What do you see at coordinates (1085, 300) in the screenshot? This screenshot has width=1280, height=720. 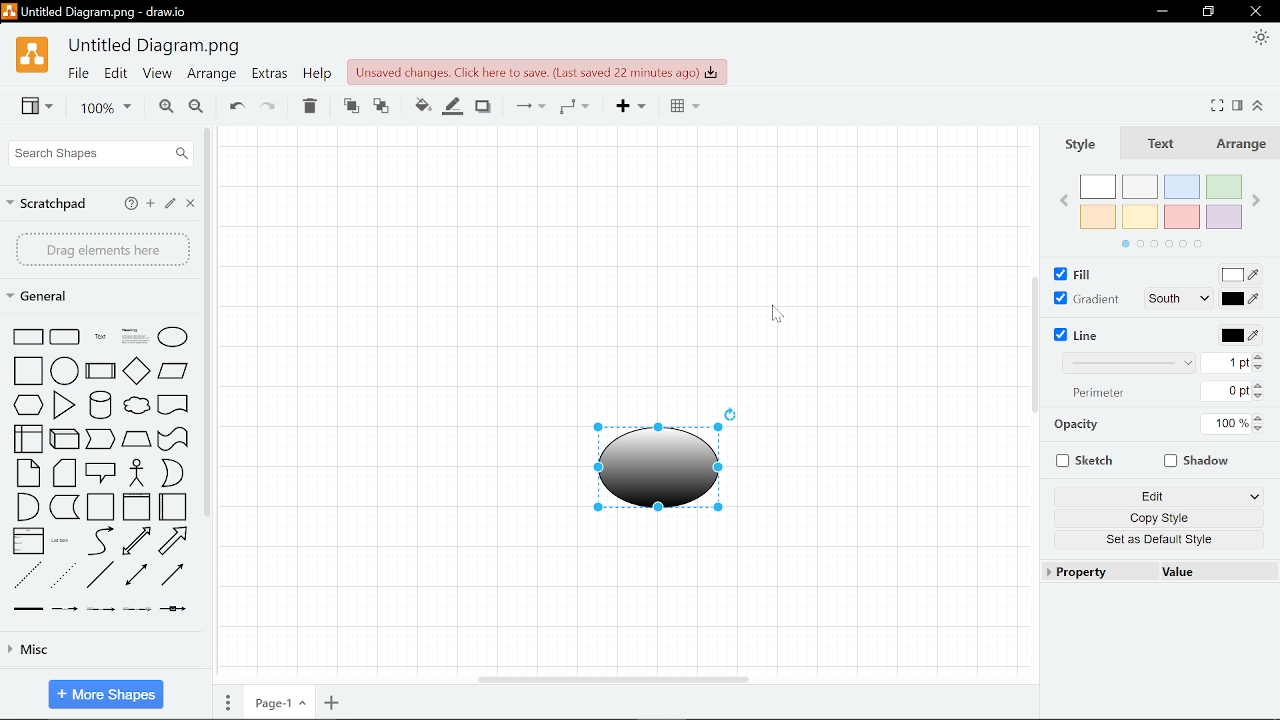 I see `Gradiant` at bounding box center [1085, 300].